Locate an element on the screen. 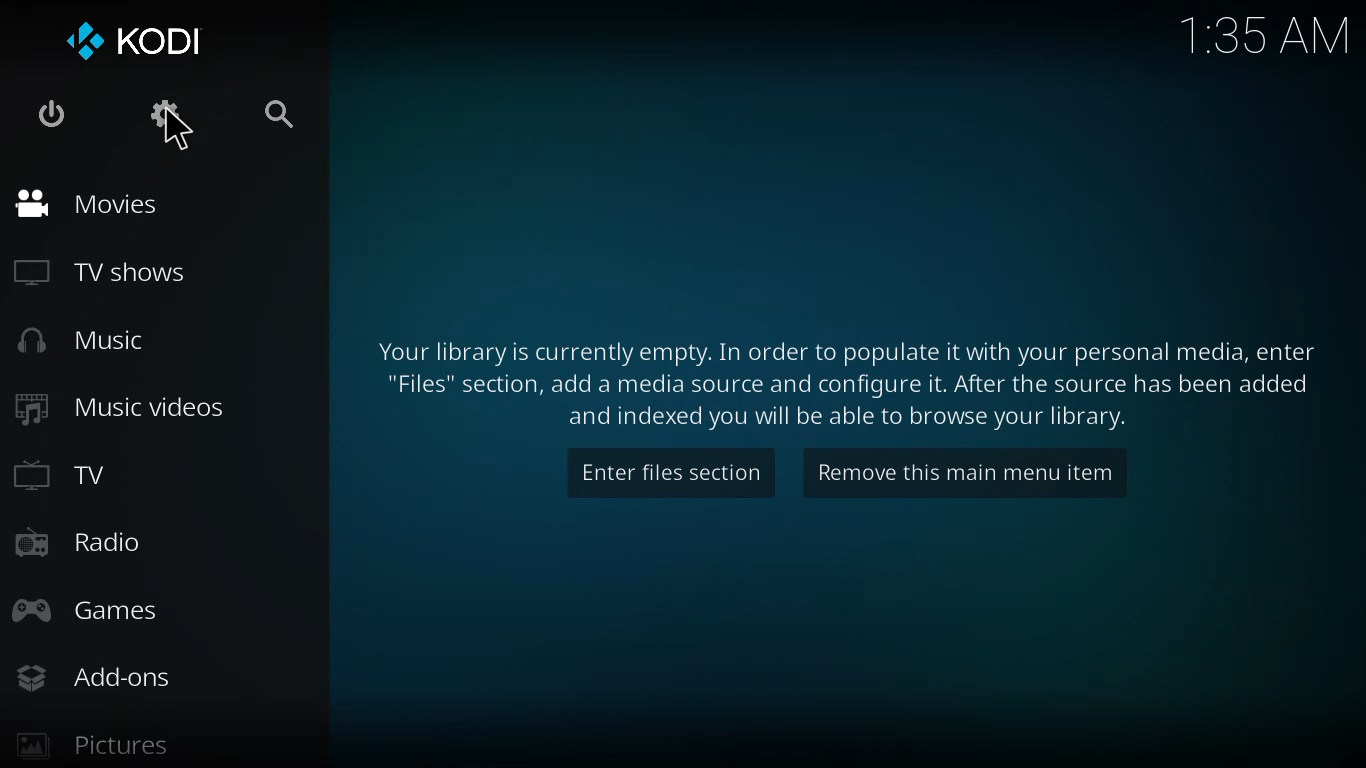  enter files section is located at coordinates (673, 470).